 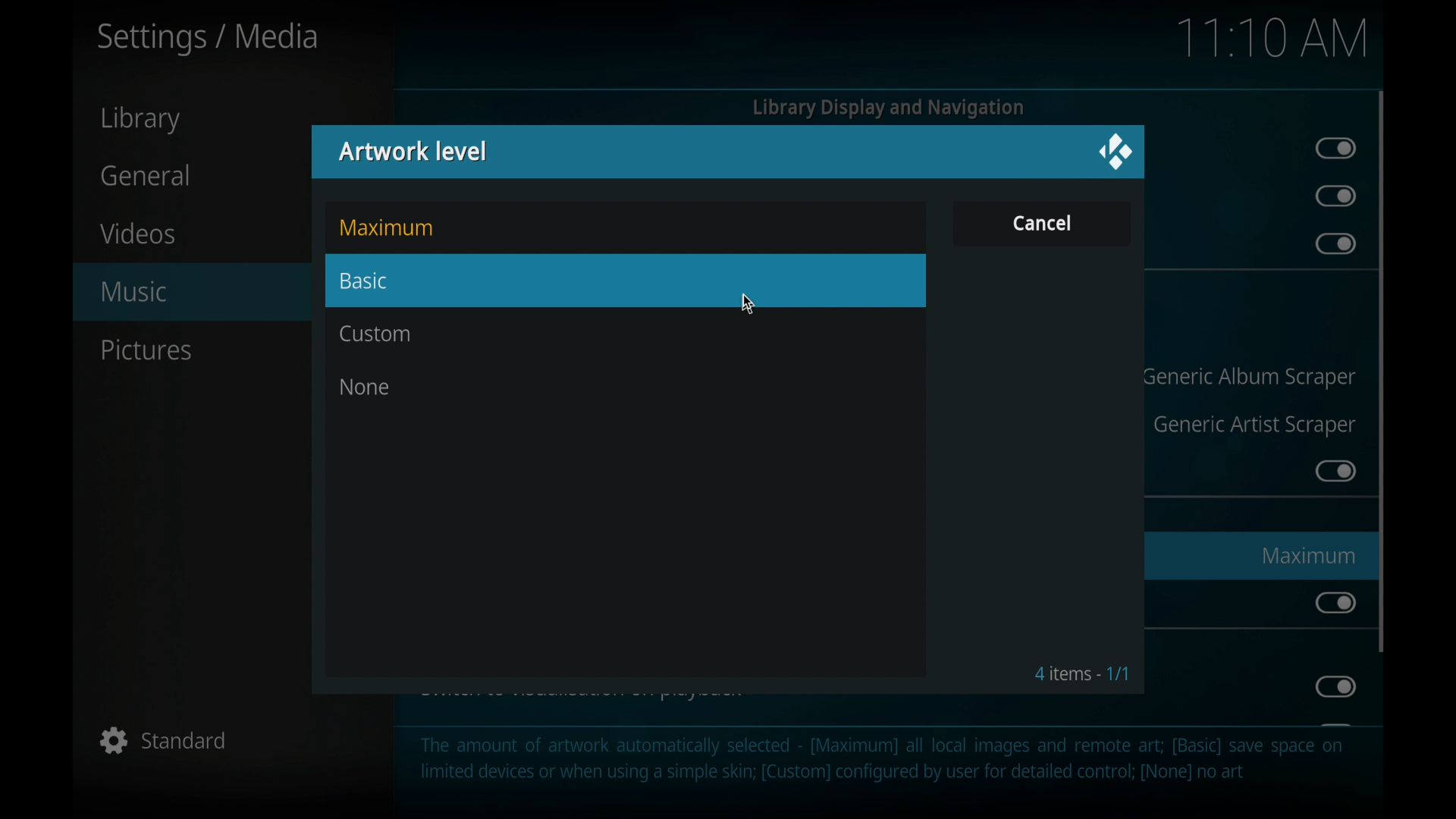 I want to click on toggle button, so click(x=1335, y=244).